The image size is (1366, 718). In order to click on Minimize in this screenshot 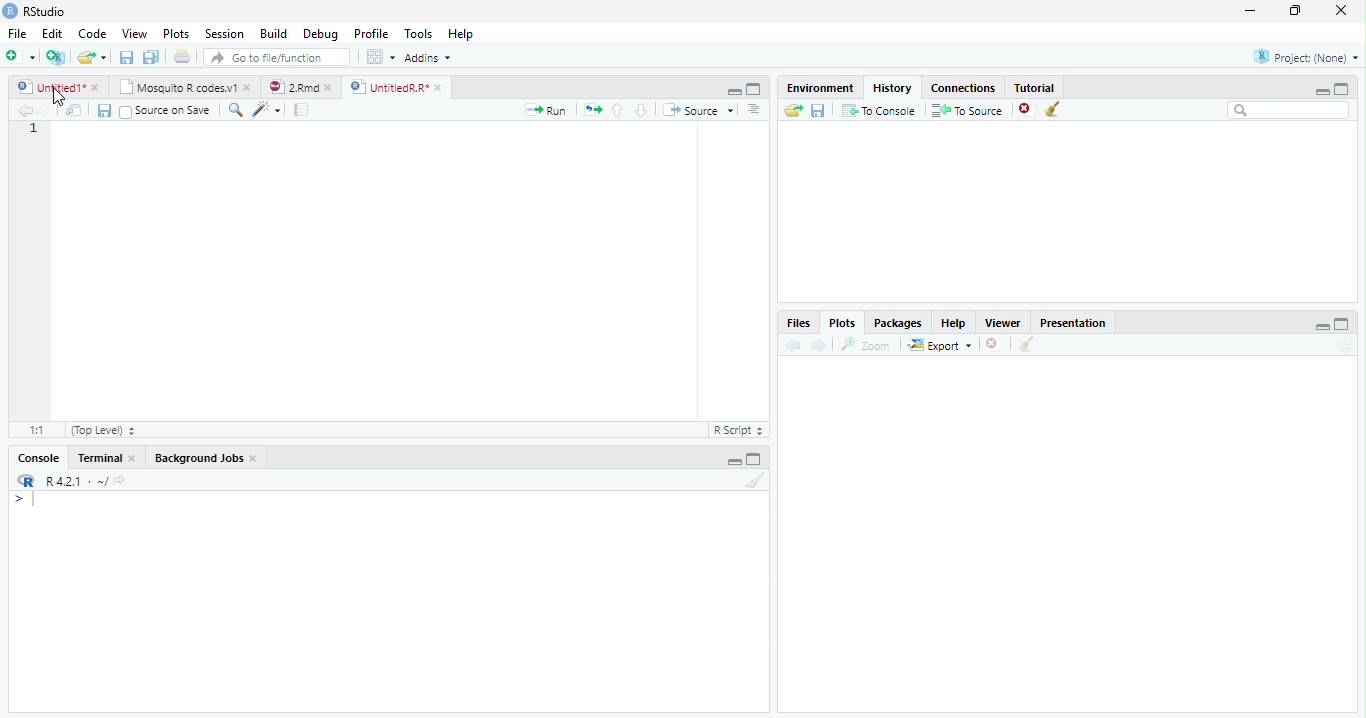, I will do `click(1319, 91)`.